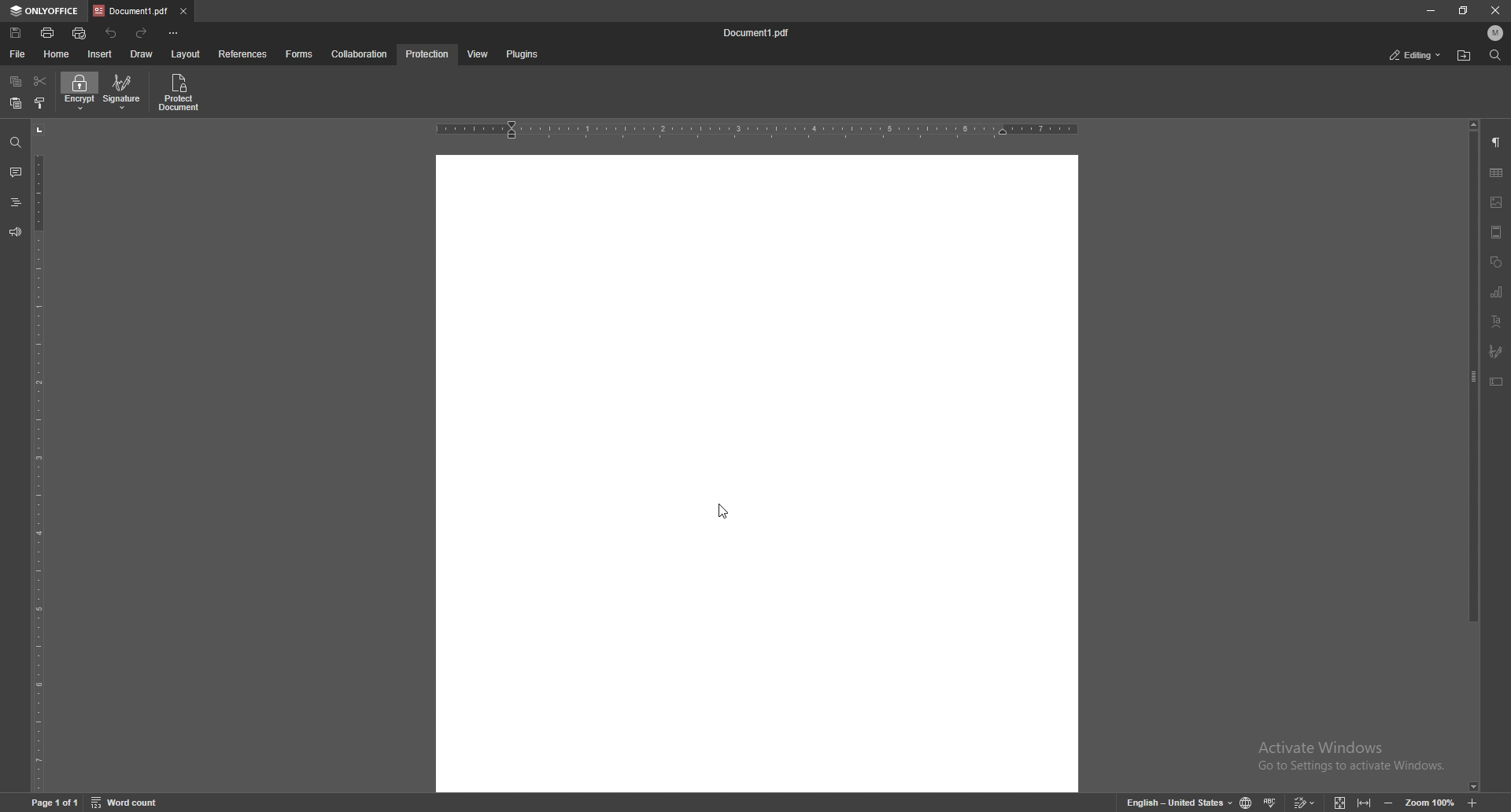  I want to click on find, so click(1494, 55).